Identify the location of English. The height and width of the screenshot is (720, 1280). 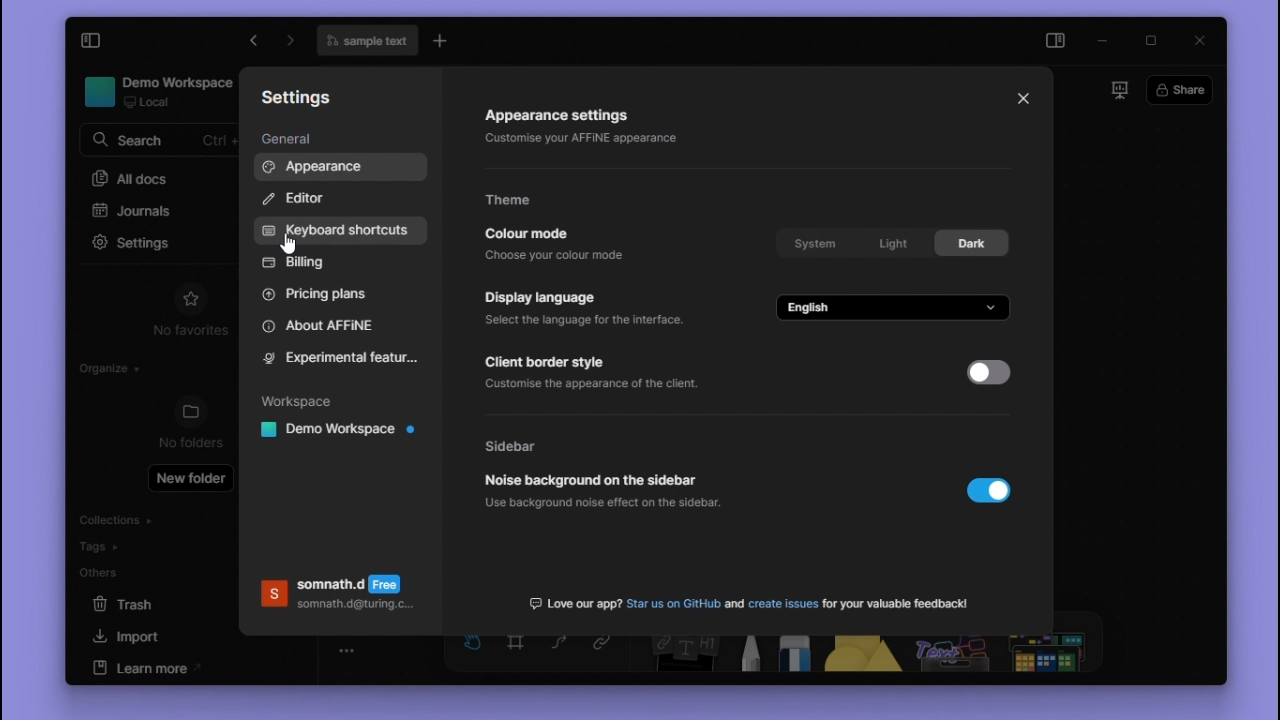
(892, 307).